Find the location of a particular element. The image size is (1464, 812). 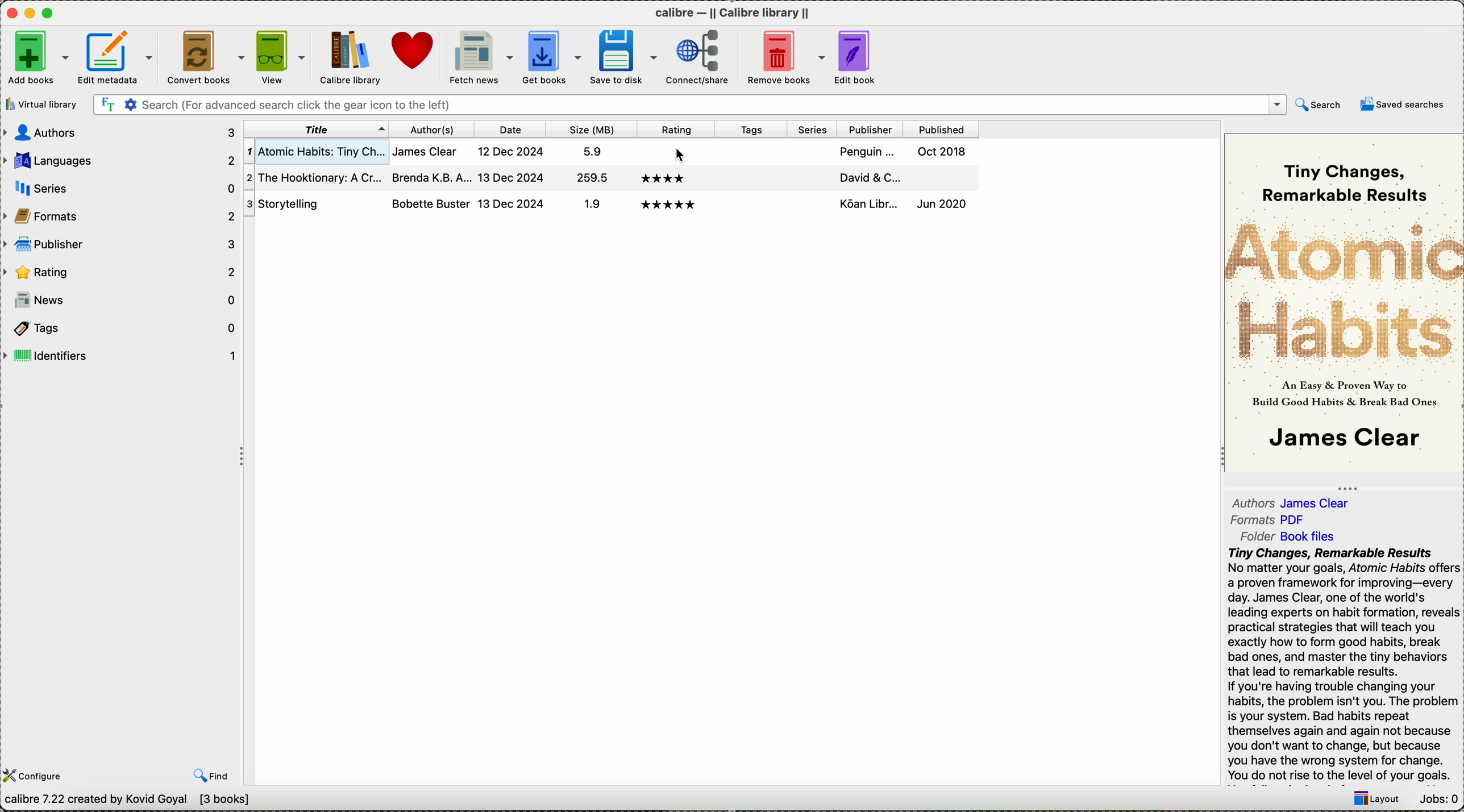

published is located at coordinates (939, 129).